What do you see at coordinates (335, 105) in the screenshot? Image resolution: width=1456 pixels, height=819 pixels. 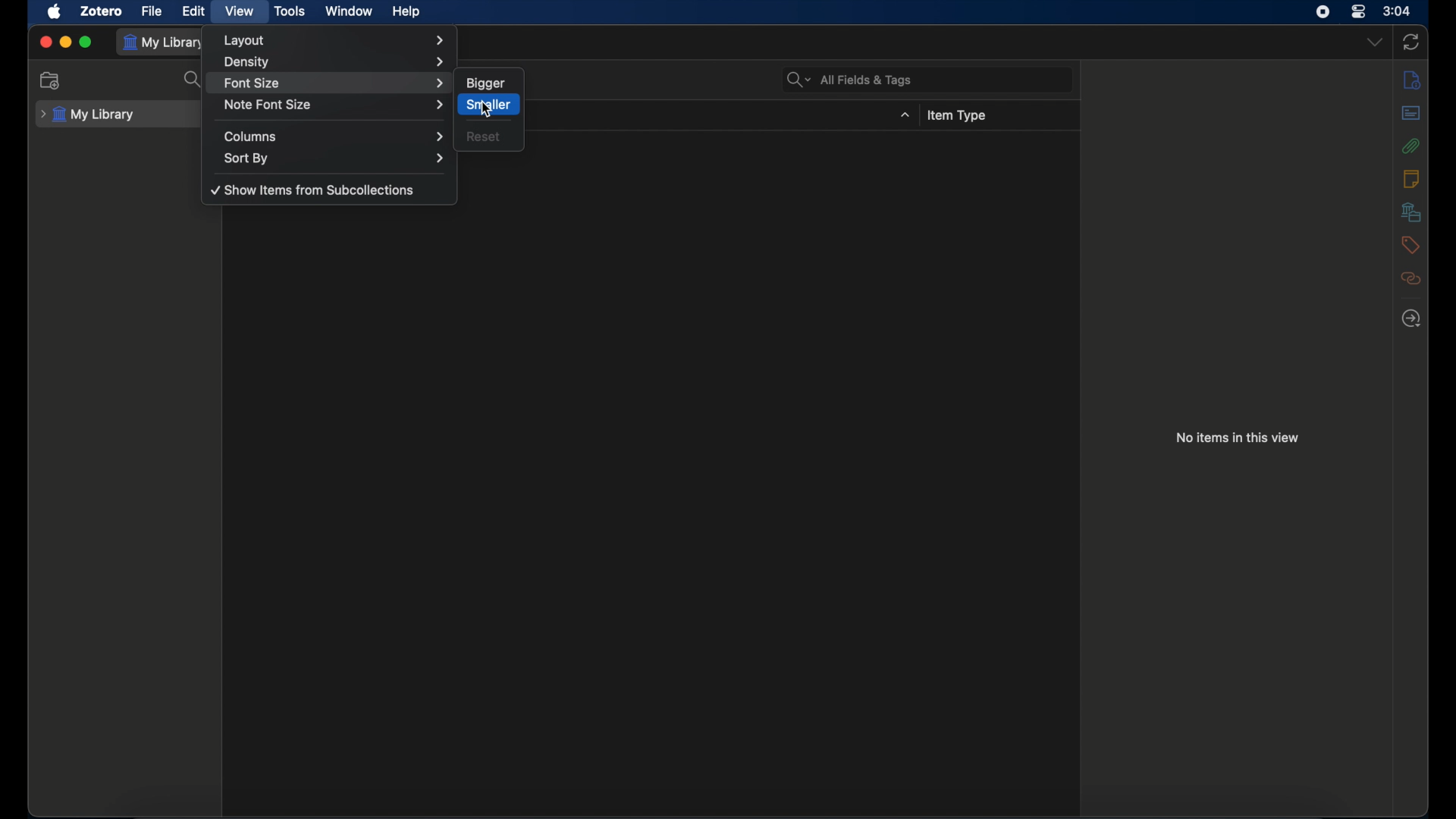 I see `note font size` at bounding box center [335, 105].